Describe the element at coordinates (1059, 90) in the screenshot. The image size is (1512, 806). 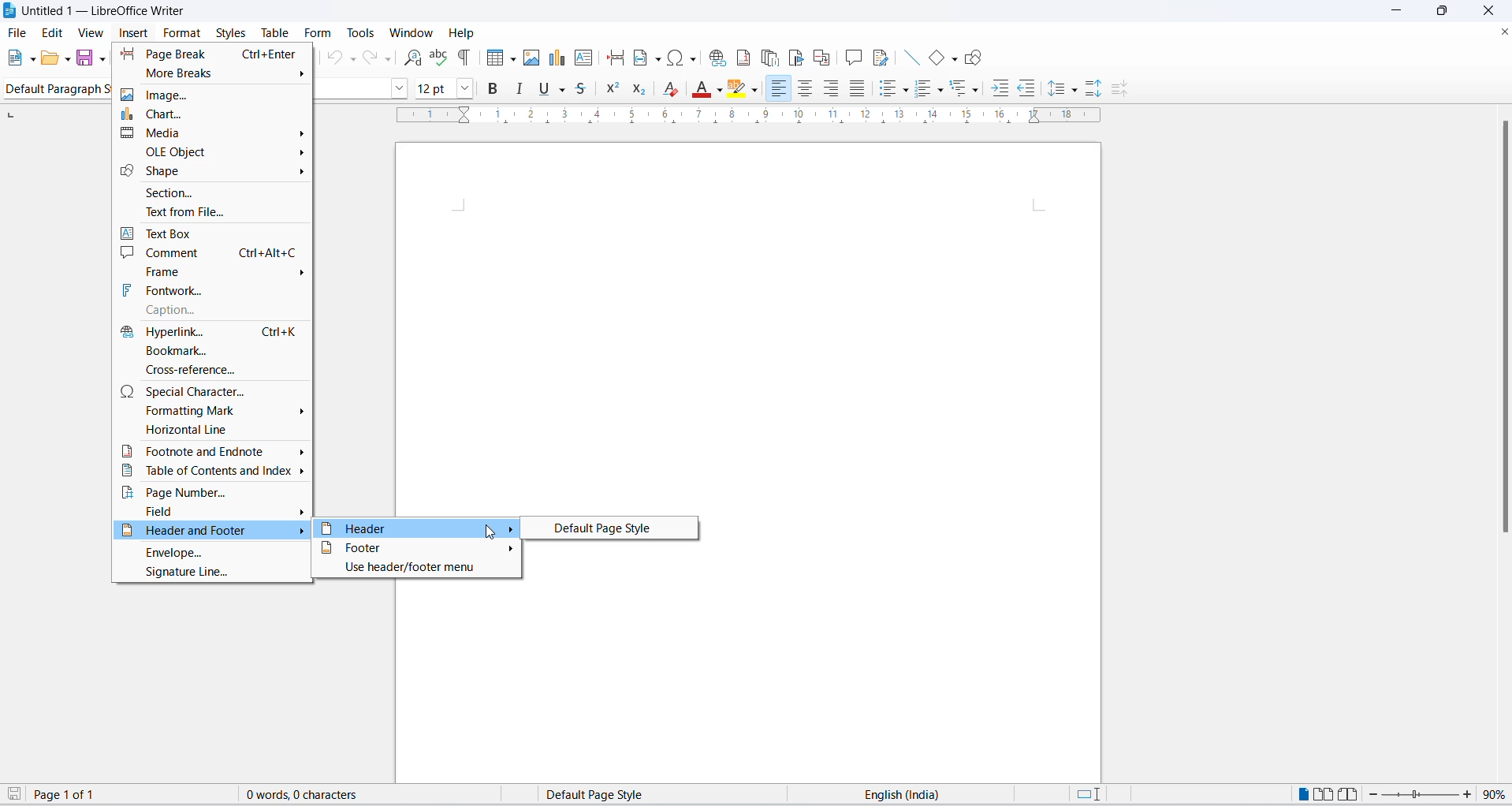
I see `line spacing` at that location.